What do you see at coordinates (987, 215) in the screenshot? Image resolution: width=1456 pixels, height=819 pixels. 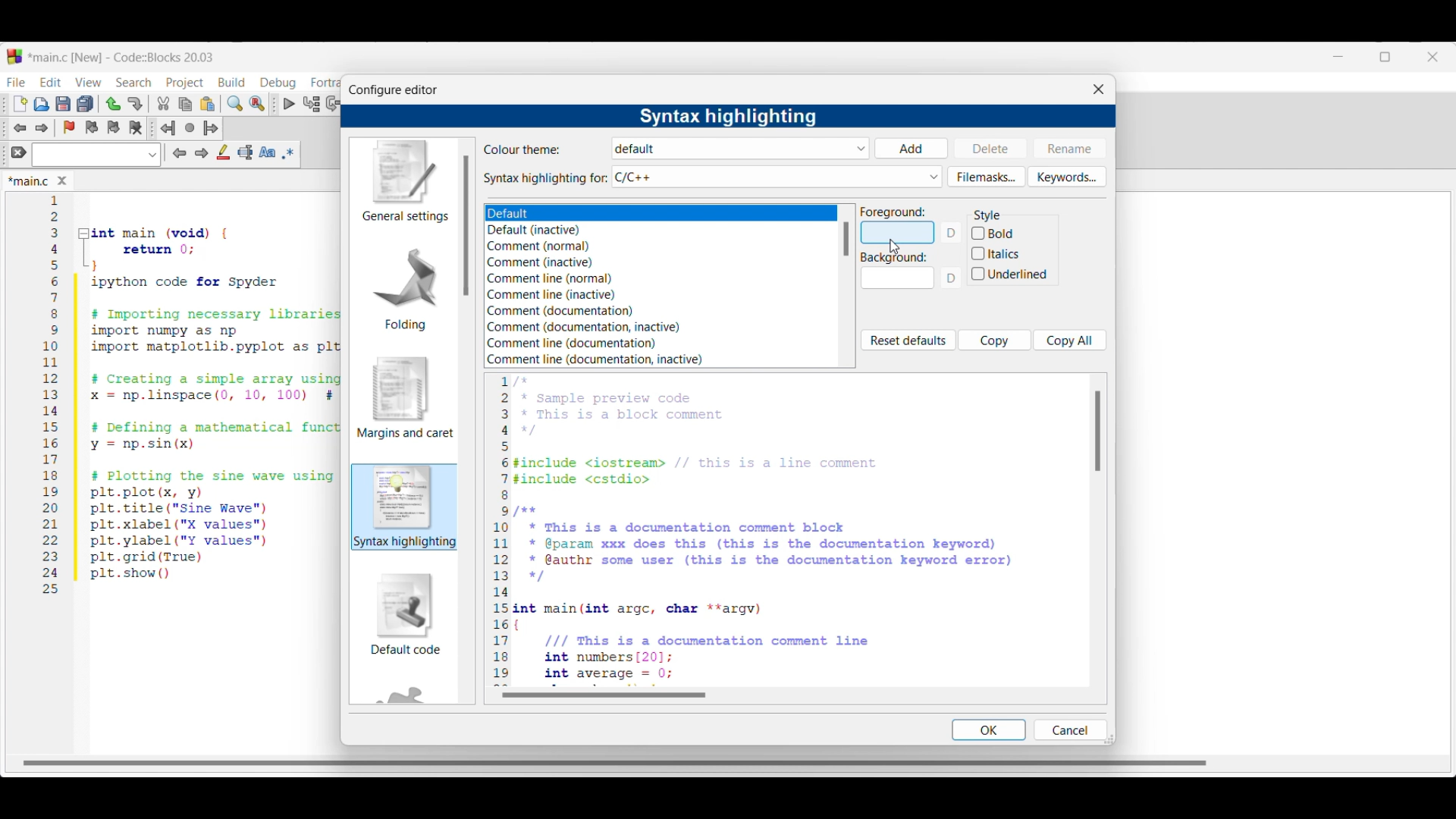 I see `Section title` at bounding box center [987, 215].